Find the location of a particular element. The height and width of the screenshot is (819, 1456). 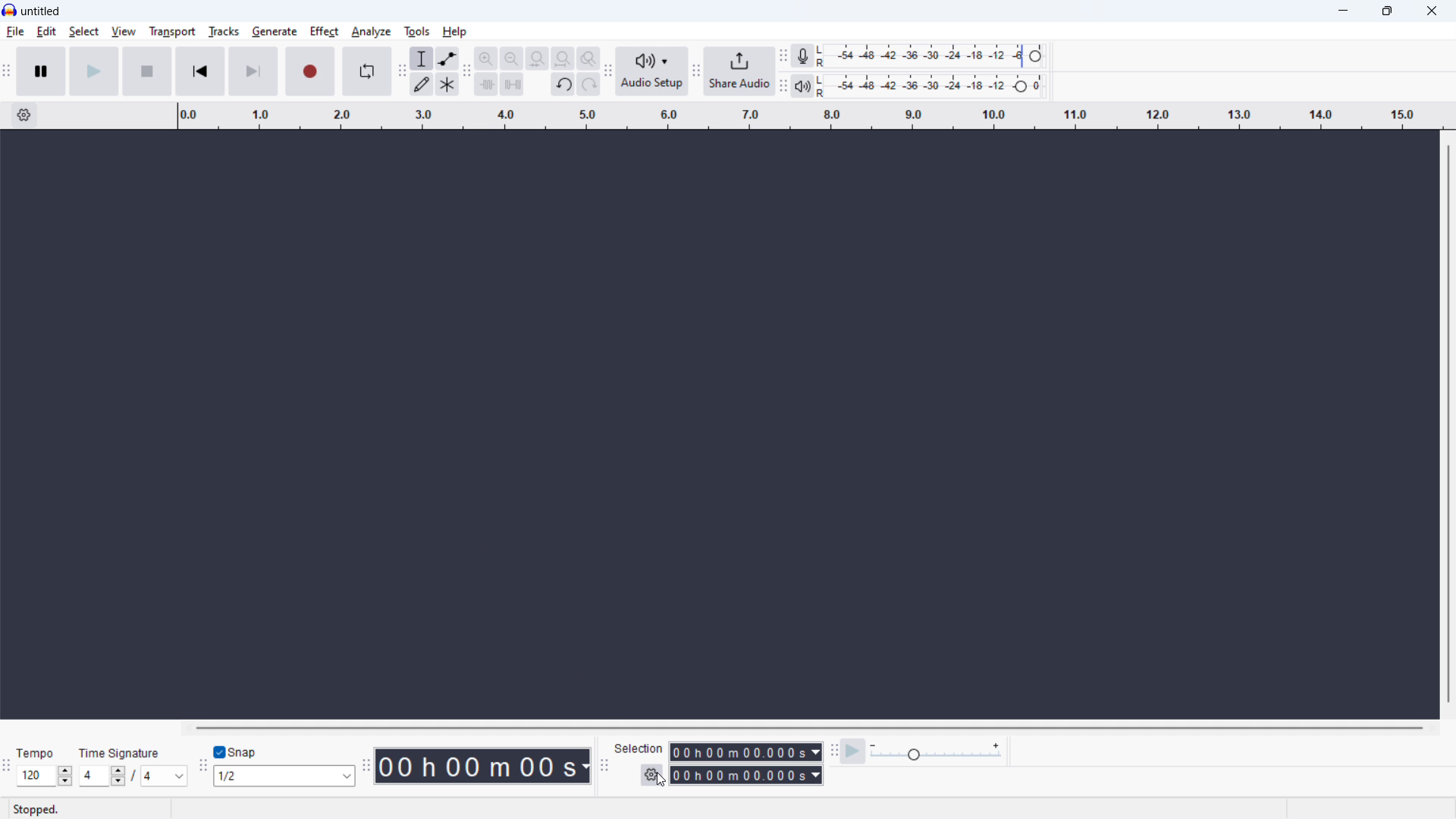

selection toolbar is located at coordinates (603, 765).